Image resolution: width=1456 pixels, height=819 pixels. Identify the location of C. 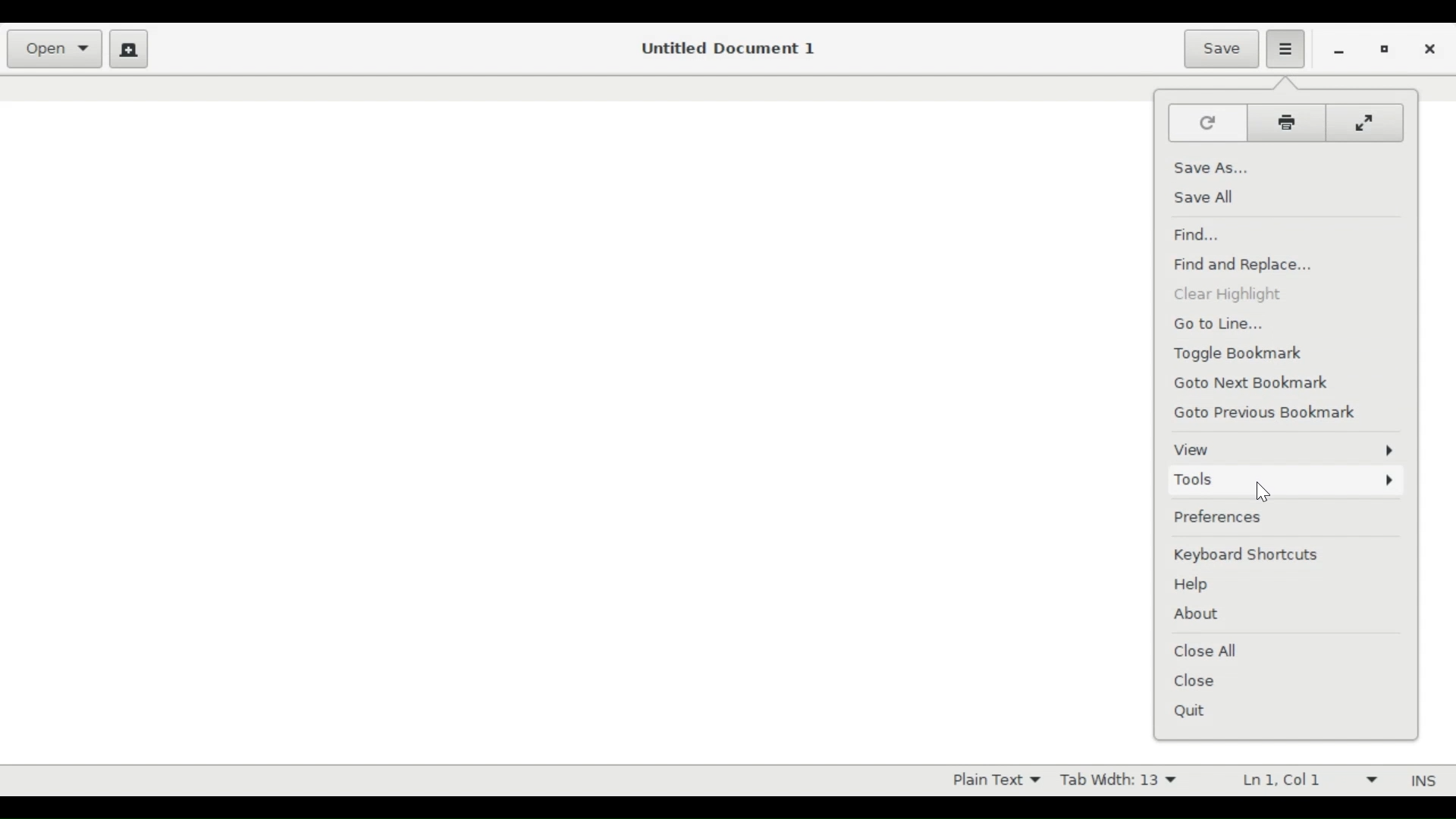
(1367, 123).